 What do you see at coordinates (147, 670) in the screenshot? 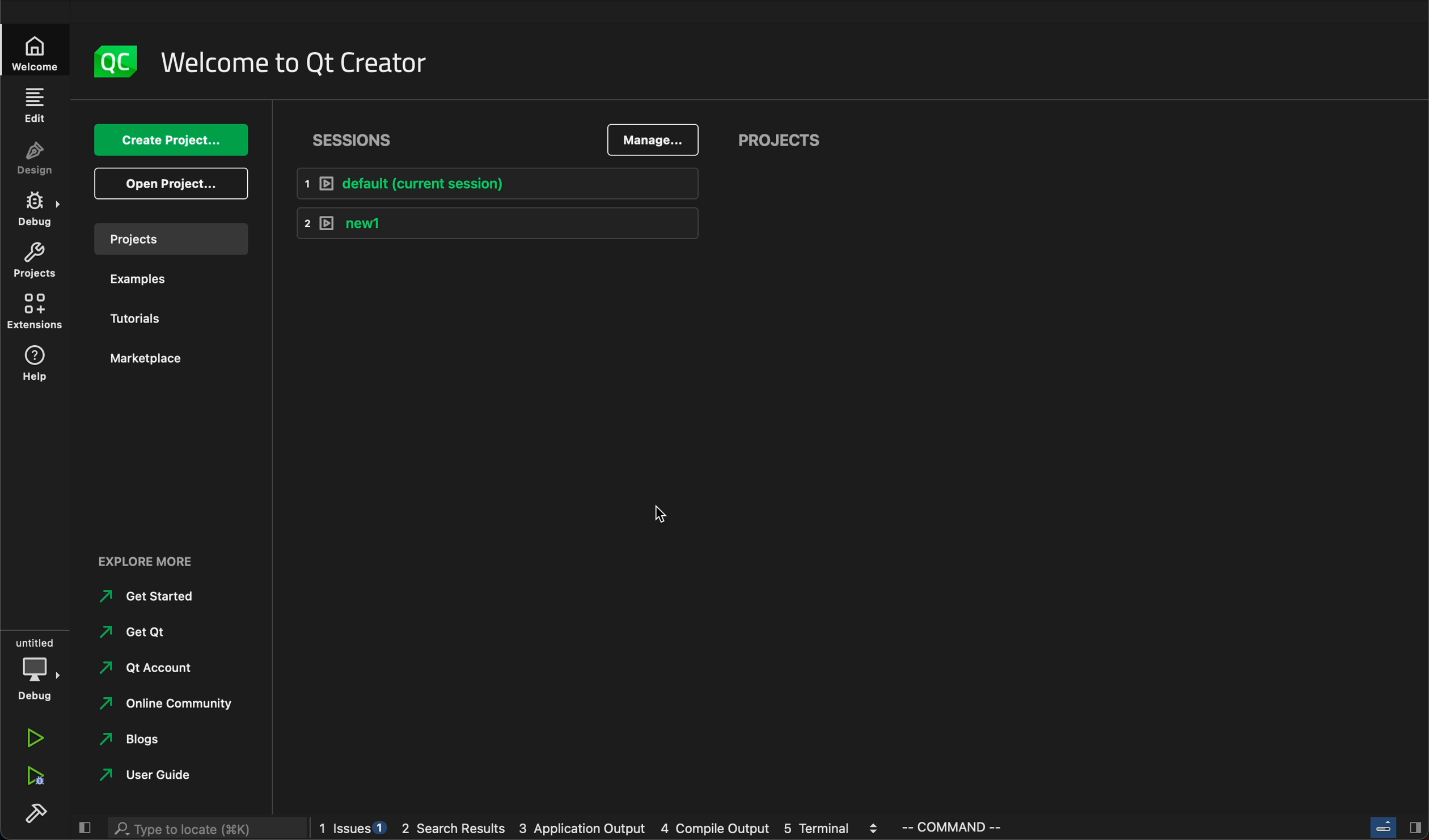
I see `account` at bounding box center [147, 670].